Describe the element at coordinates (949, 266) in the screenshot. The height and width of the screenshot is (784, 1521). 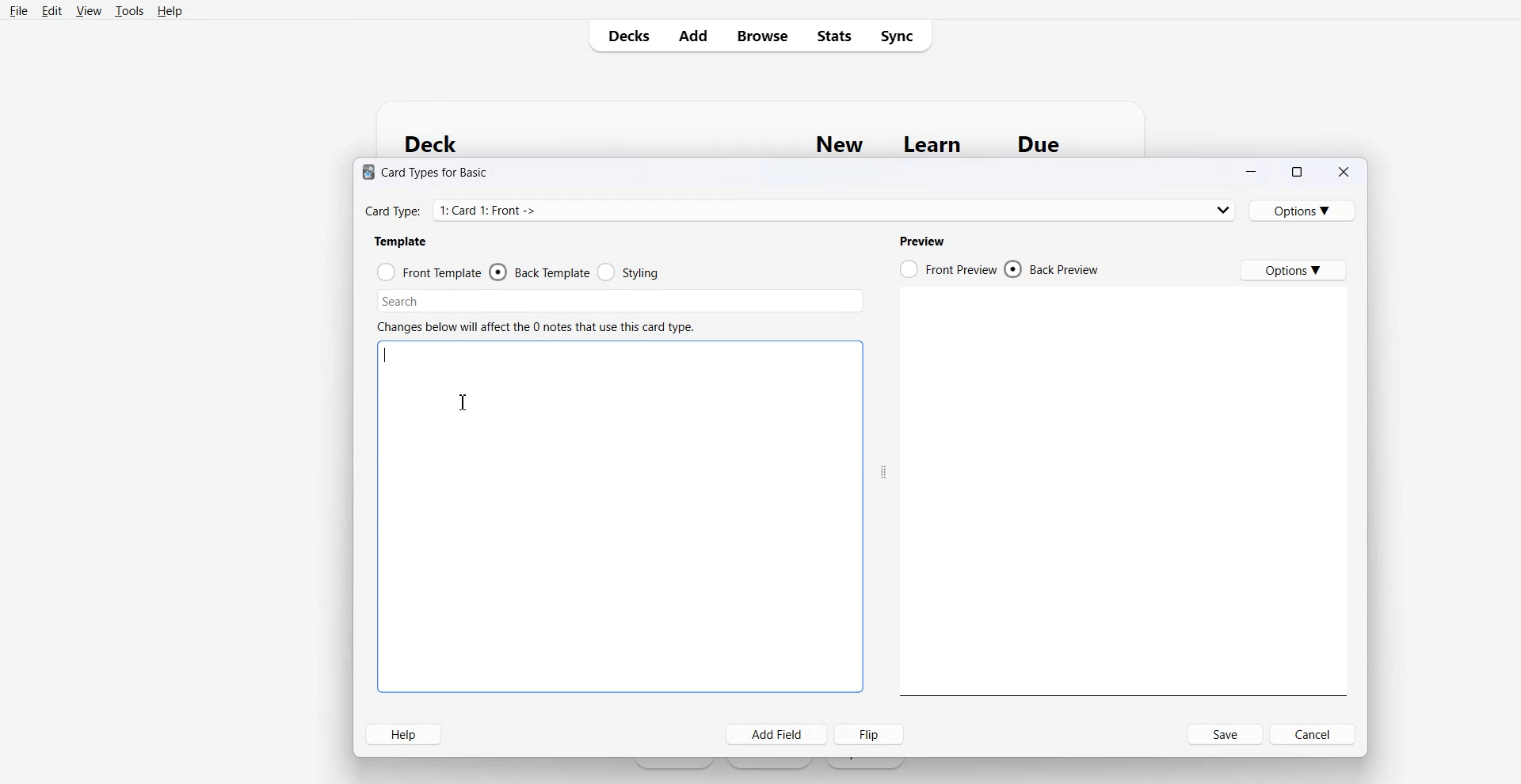
I see `Front Preview` at that location.